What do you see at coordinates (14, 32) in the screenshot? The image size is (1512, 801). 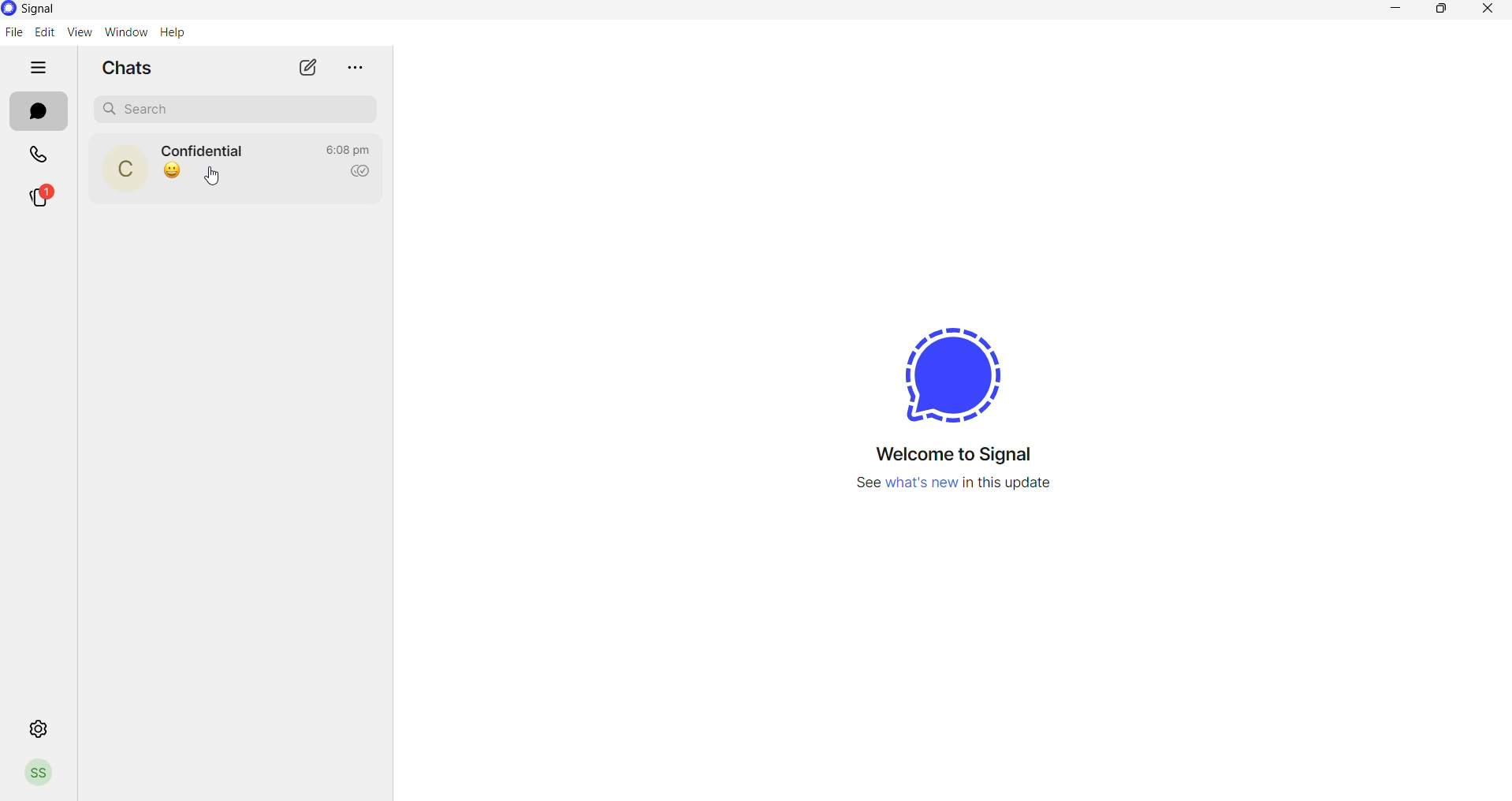 I see `file` at bounding box center [14, 32].